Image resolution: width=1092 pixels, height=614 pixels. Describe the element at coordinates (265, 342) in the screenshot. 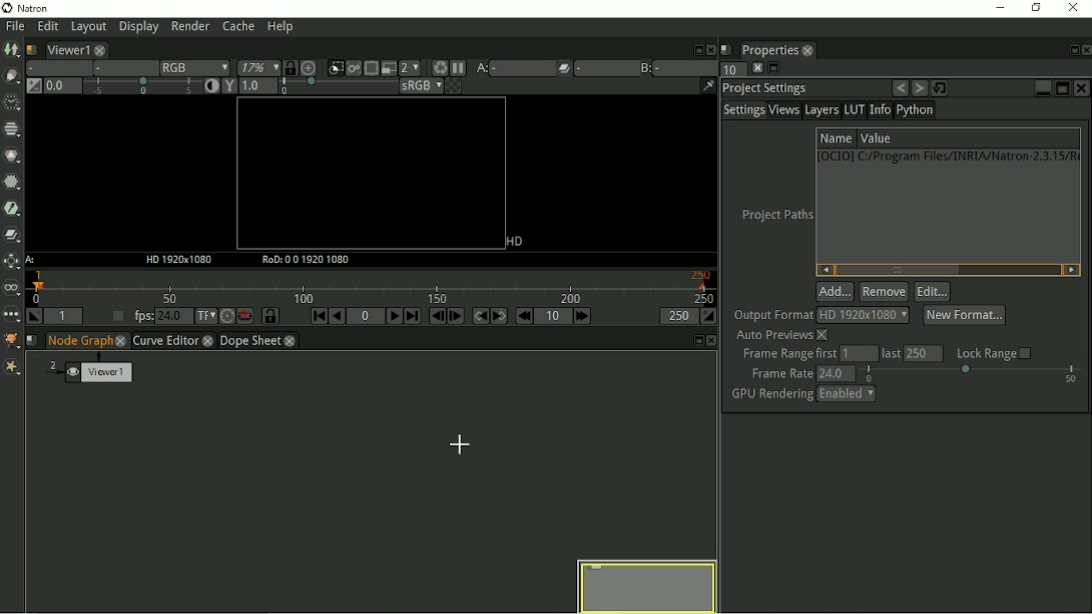

I see `Dope sheet` at that location.